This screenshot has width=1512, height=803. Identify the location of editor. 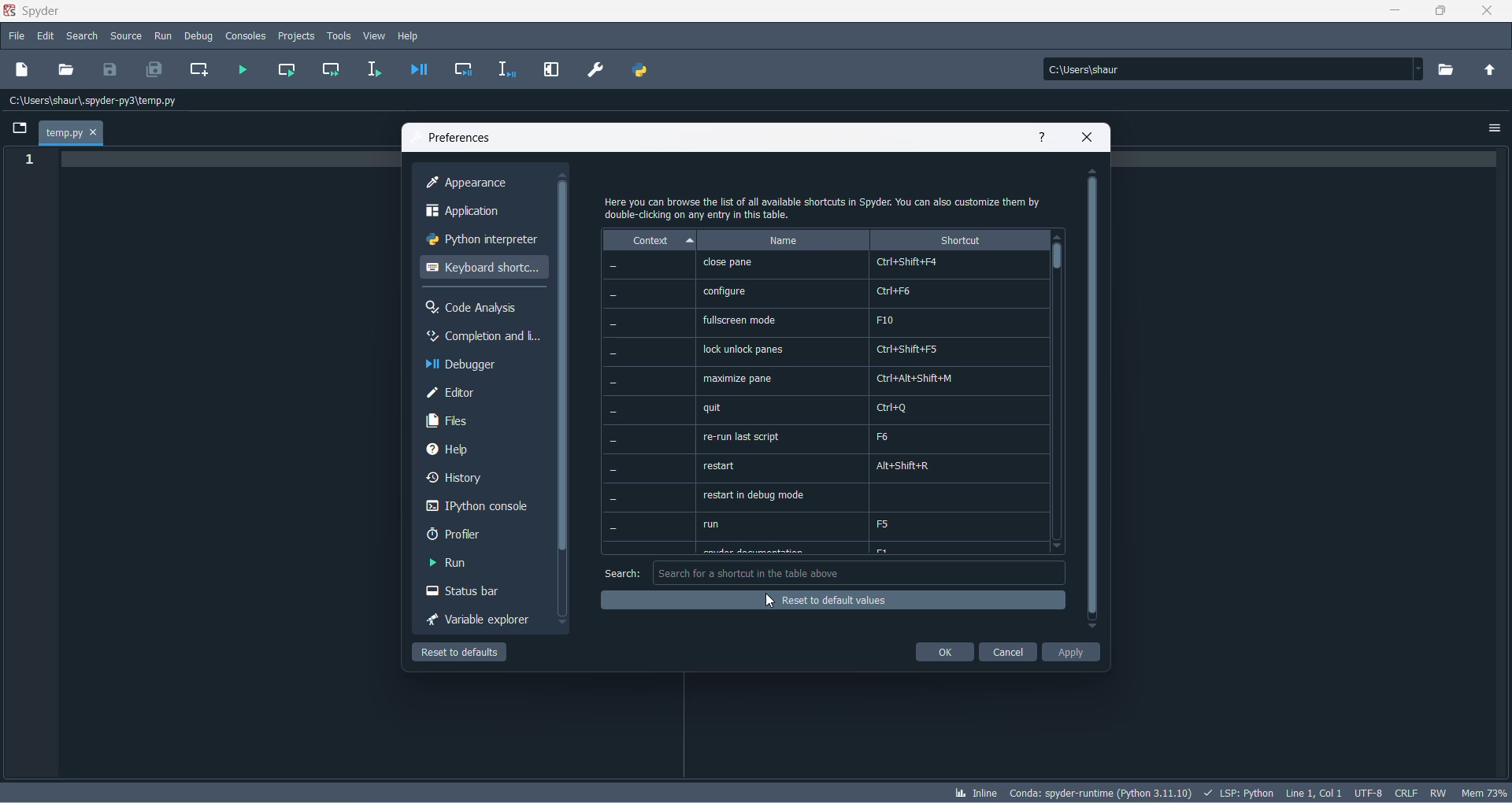
(481, 392).